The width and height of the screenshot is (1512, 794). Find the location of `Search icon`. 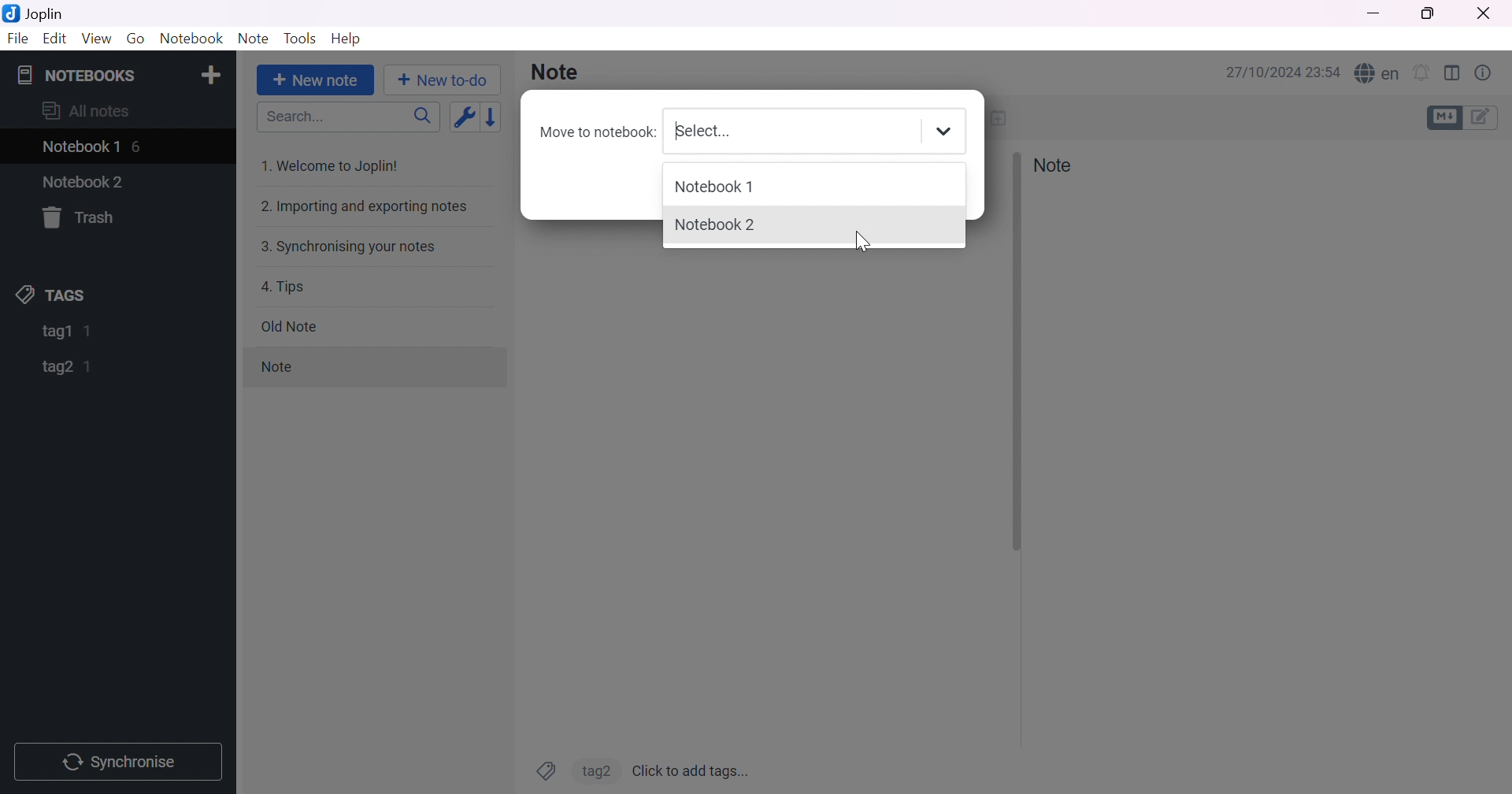

Search icon is located at coordinates (418, 118).